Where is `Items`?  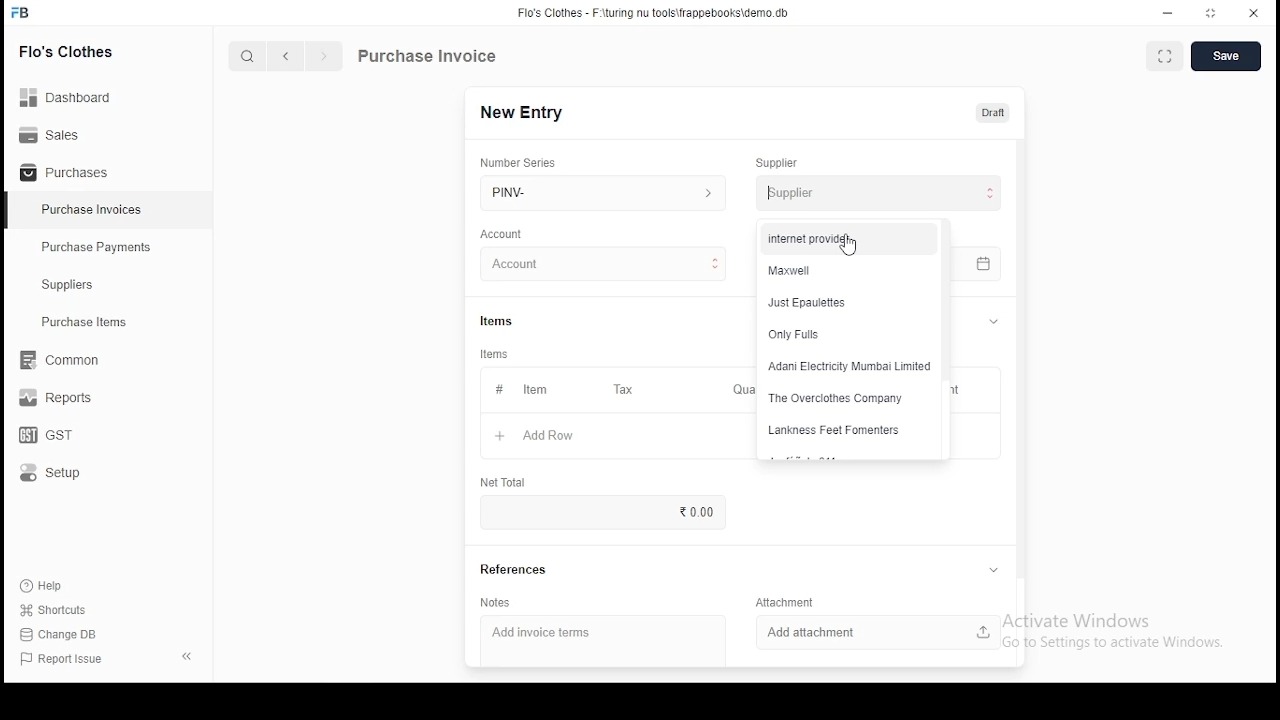 Items is located at coordinates (497, 319).